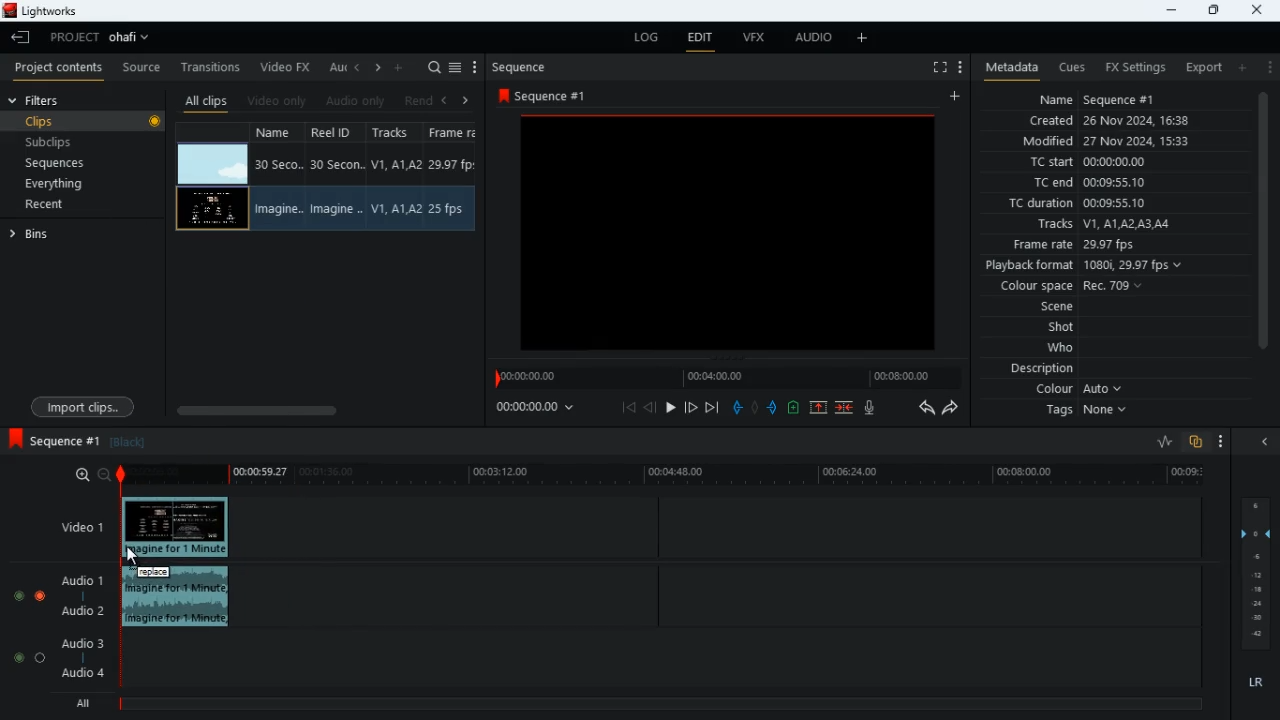 The height and width of the screenshot is (720, 1280). What do you see at coordinates (1169, 11) in the screenshot?
I see `minimize` at bounding box center [1169, 11].